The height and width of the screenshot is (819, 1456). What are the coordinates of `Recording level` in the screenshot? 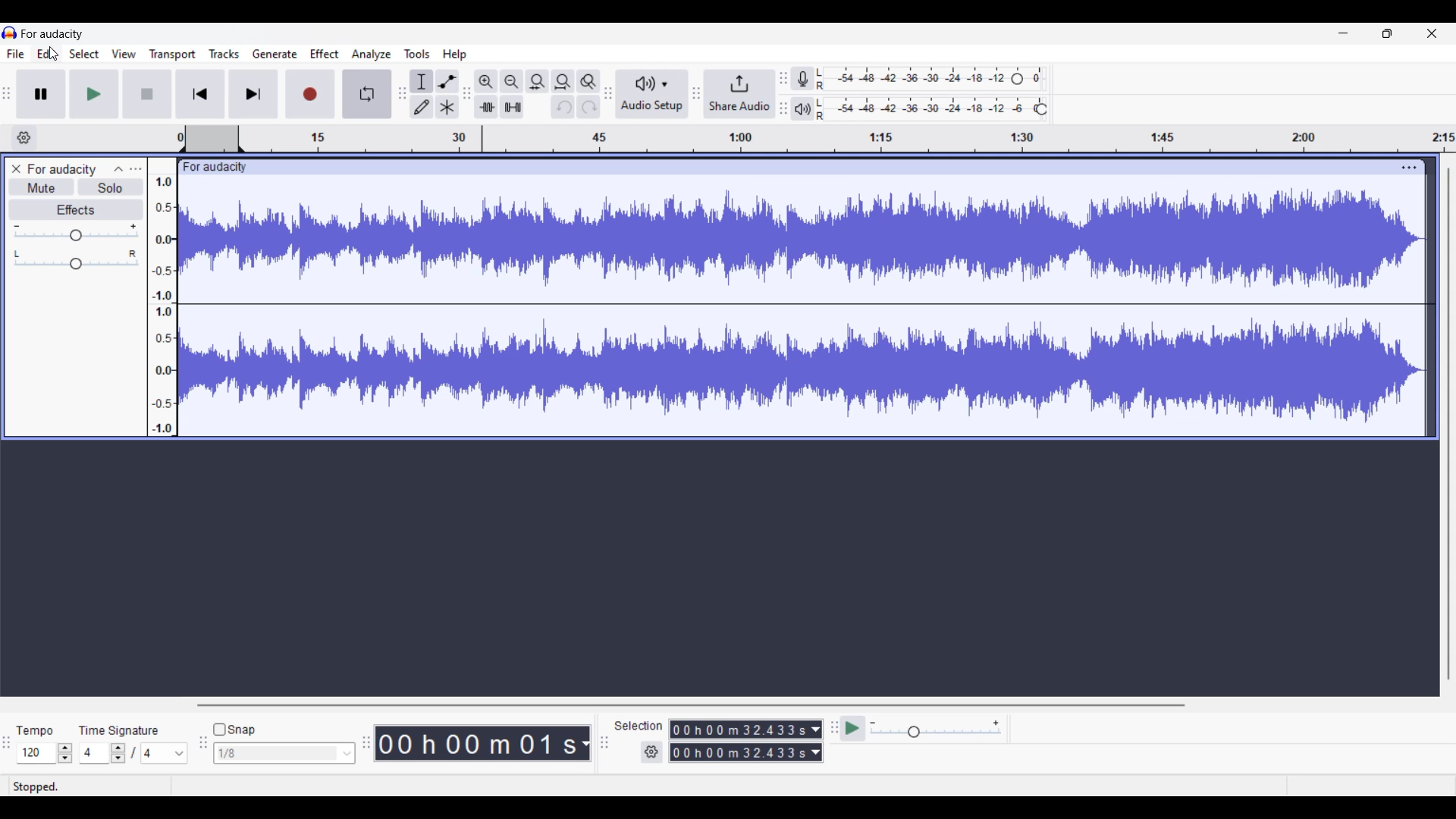 It's located at (912, 79).